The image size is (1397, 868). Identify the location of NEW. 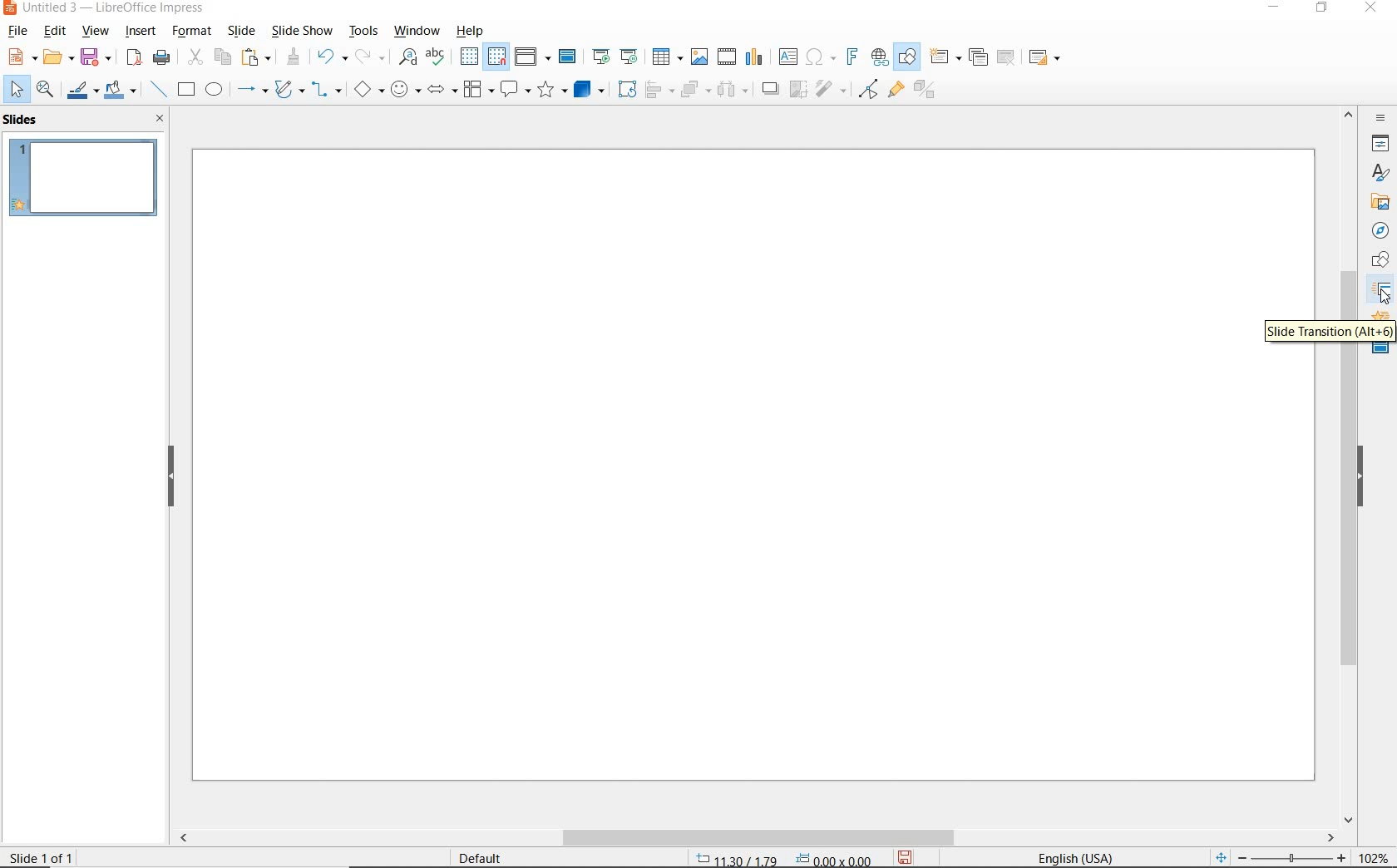
(21, 58).